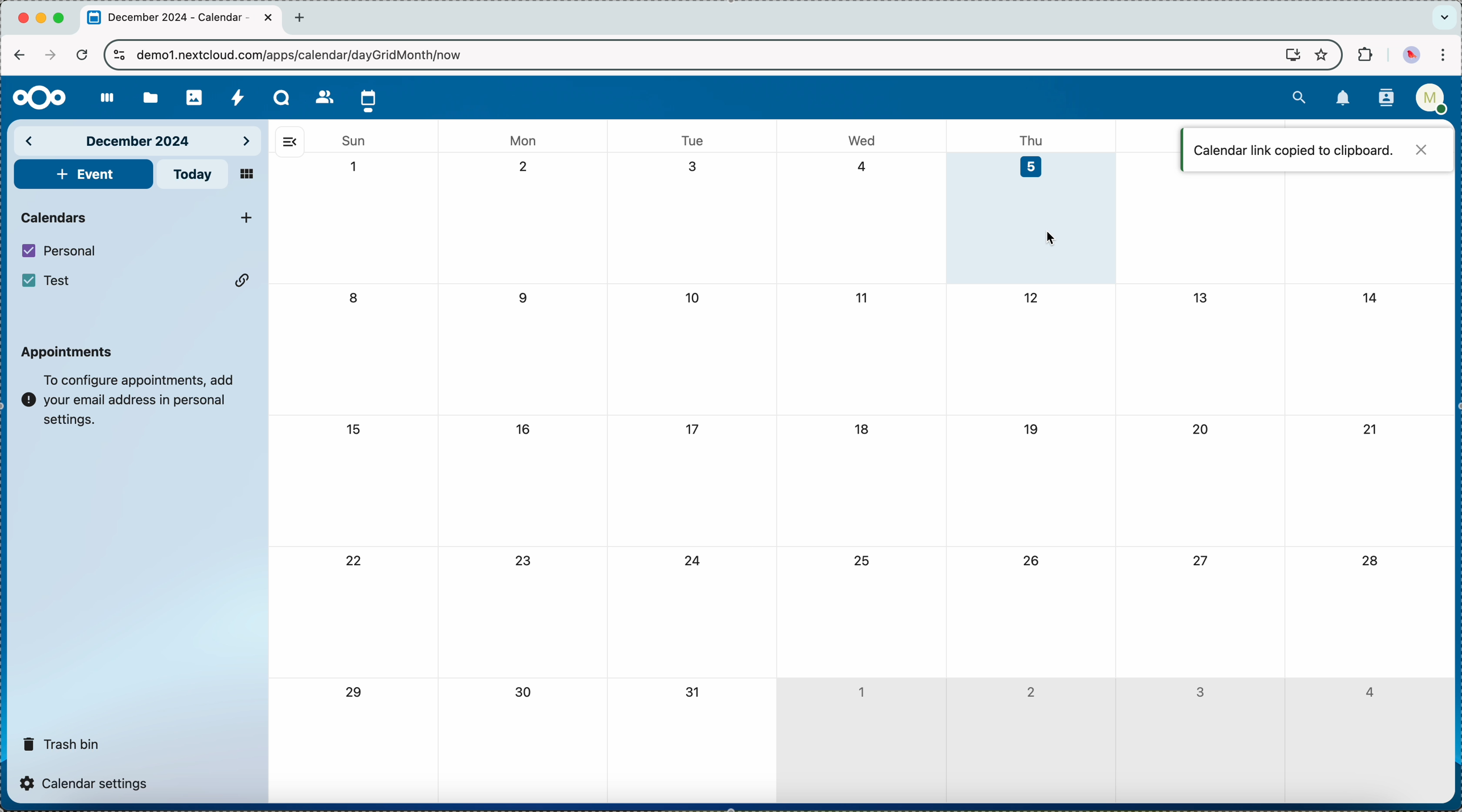 The width and height of the screenshot is (1462, 812). What do you see at coordinates (860, 689) in the screenshot?
I see `1` at bounding box center [860, 689].